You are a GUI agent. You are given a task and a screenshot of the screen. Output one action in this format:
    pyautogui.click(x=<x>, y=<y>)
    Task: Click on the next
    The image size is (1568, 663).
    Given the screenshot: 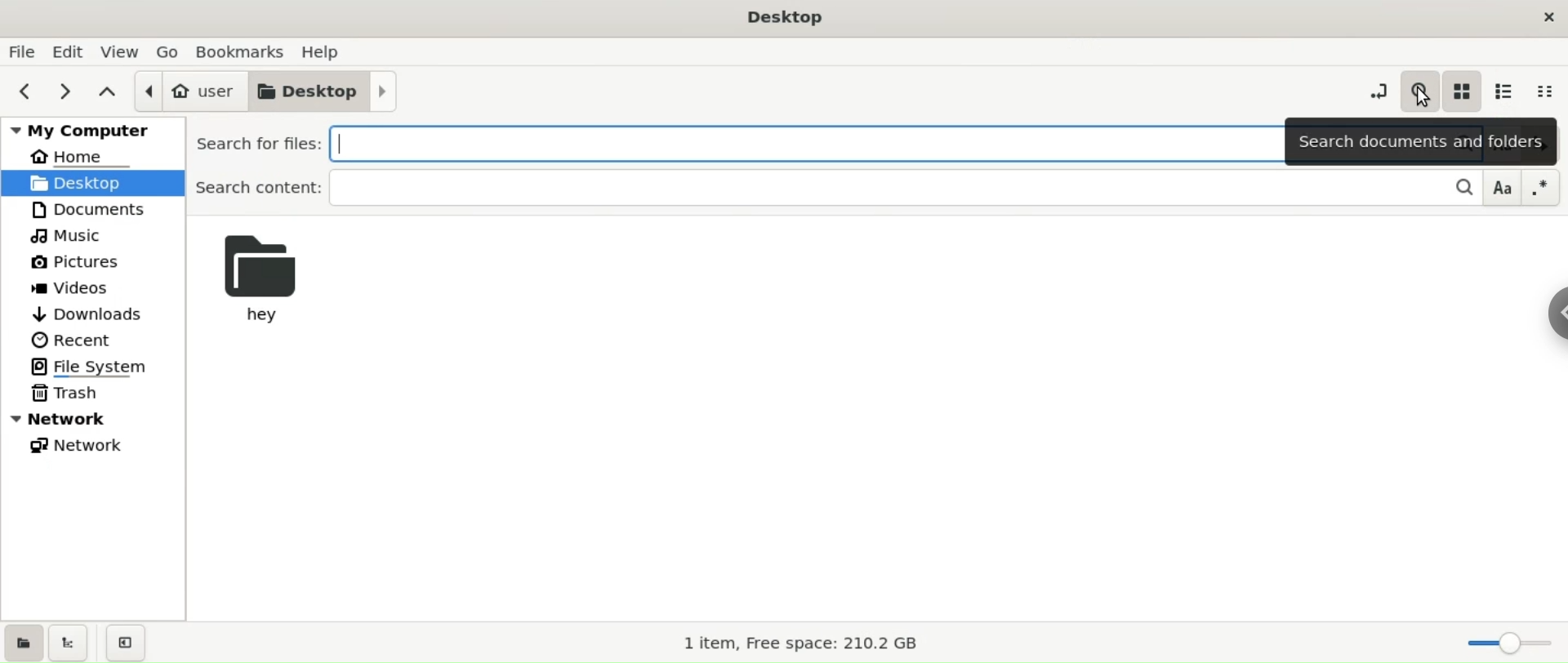 What is the action you would take?
    pyautogui.click(x=69, y=93)
    